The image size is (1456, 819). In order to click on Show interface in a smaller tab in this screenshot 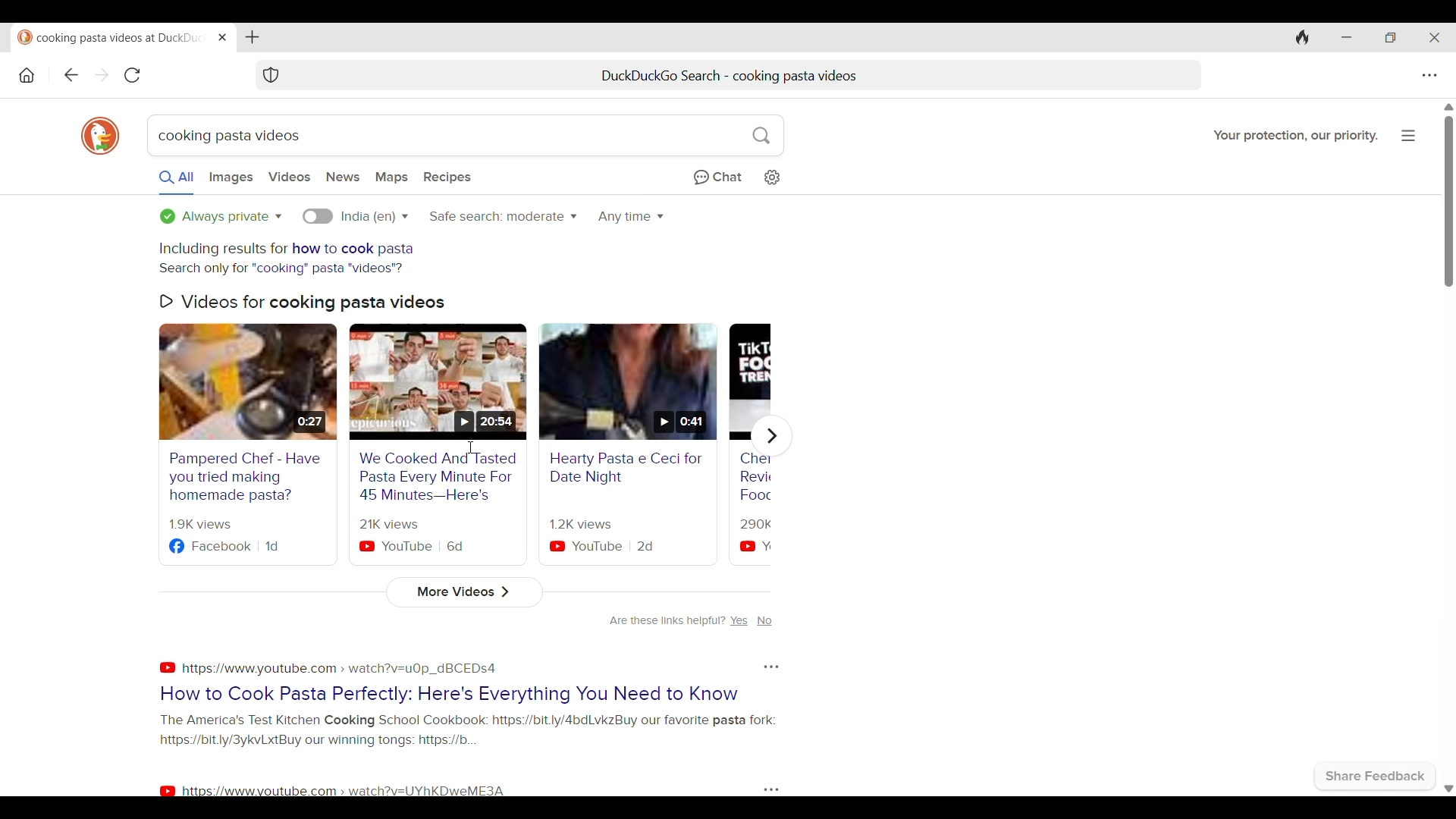, I will do `click(1391, 38)`.